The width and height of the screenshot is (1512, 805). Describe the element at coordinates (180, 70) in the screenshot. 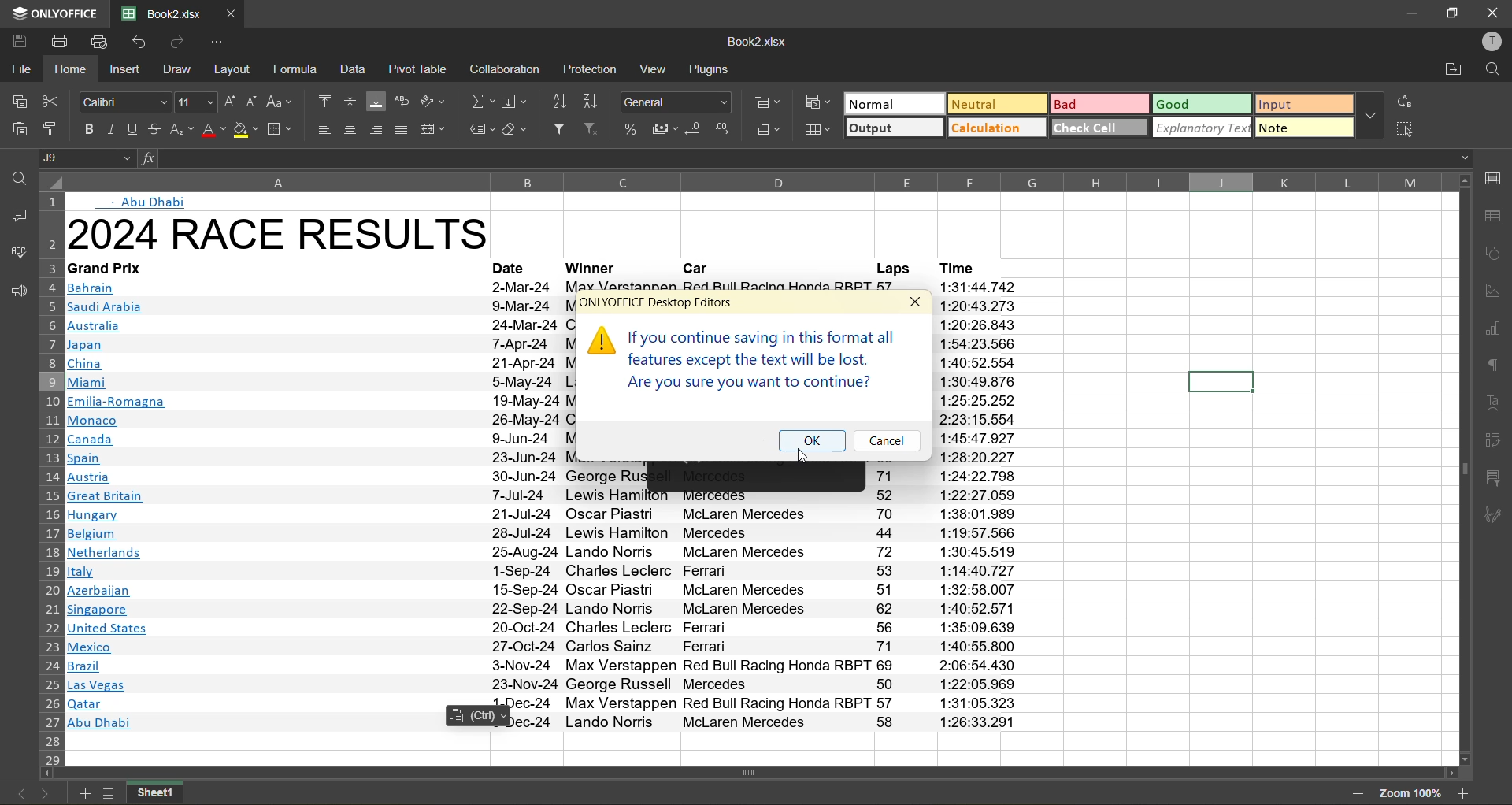

I see `draw` at that location.